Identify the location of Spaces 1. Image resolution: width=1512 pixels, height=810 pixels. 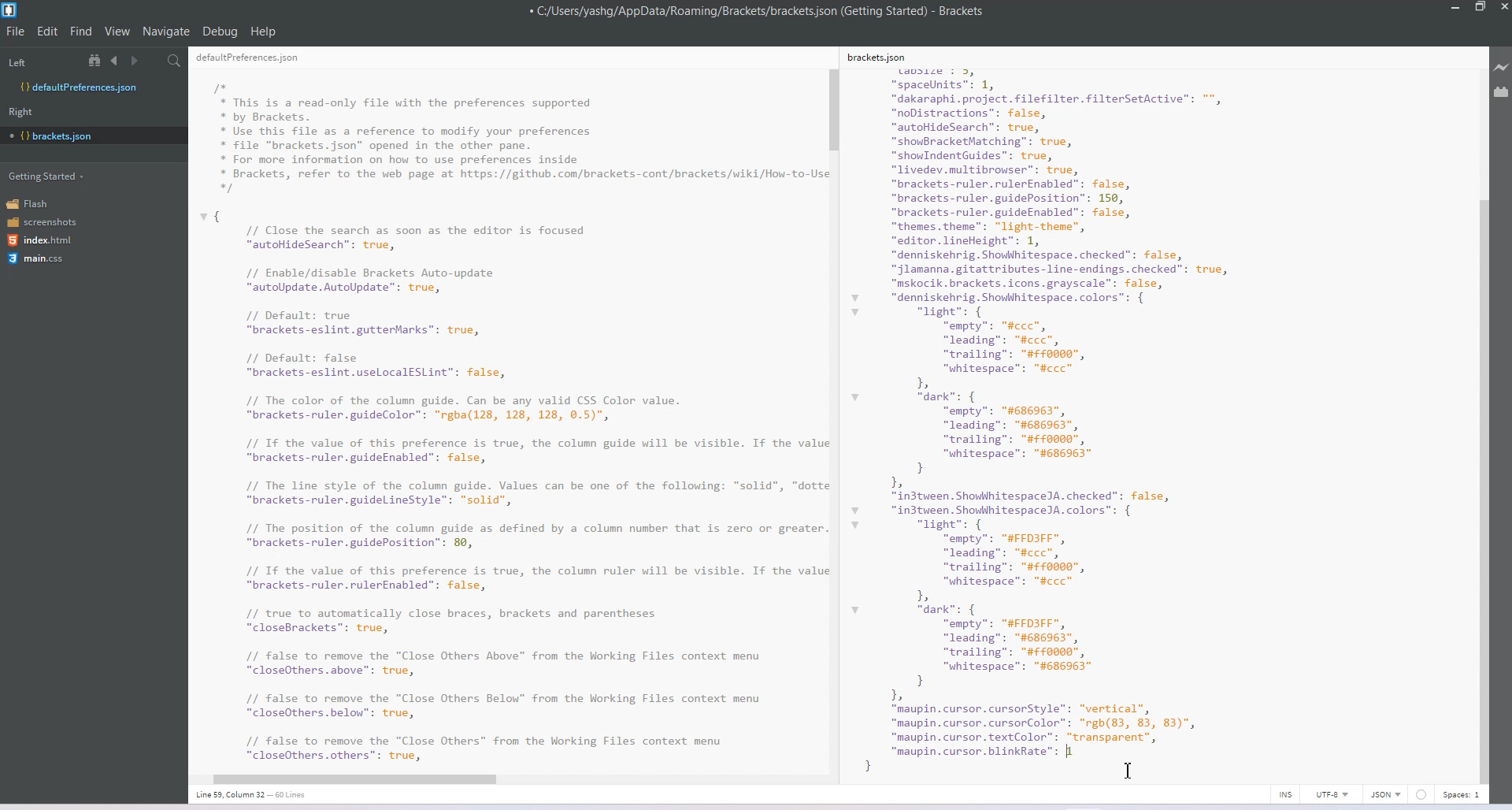
(1462, 795).